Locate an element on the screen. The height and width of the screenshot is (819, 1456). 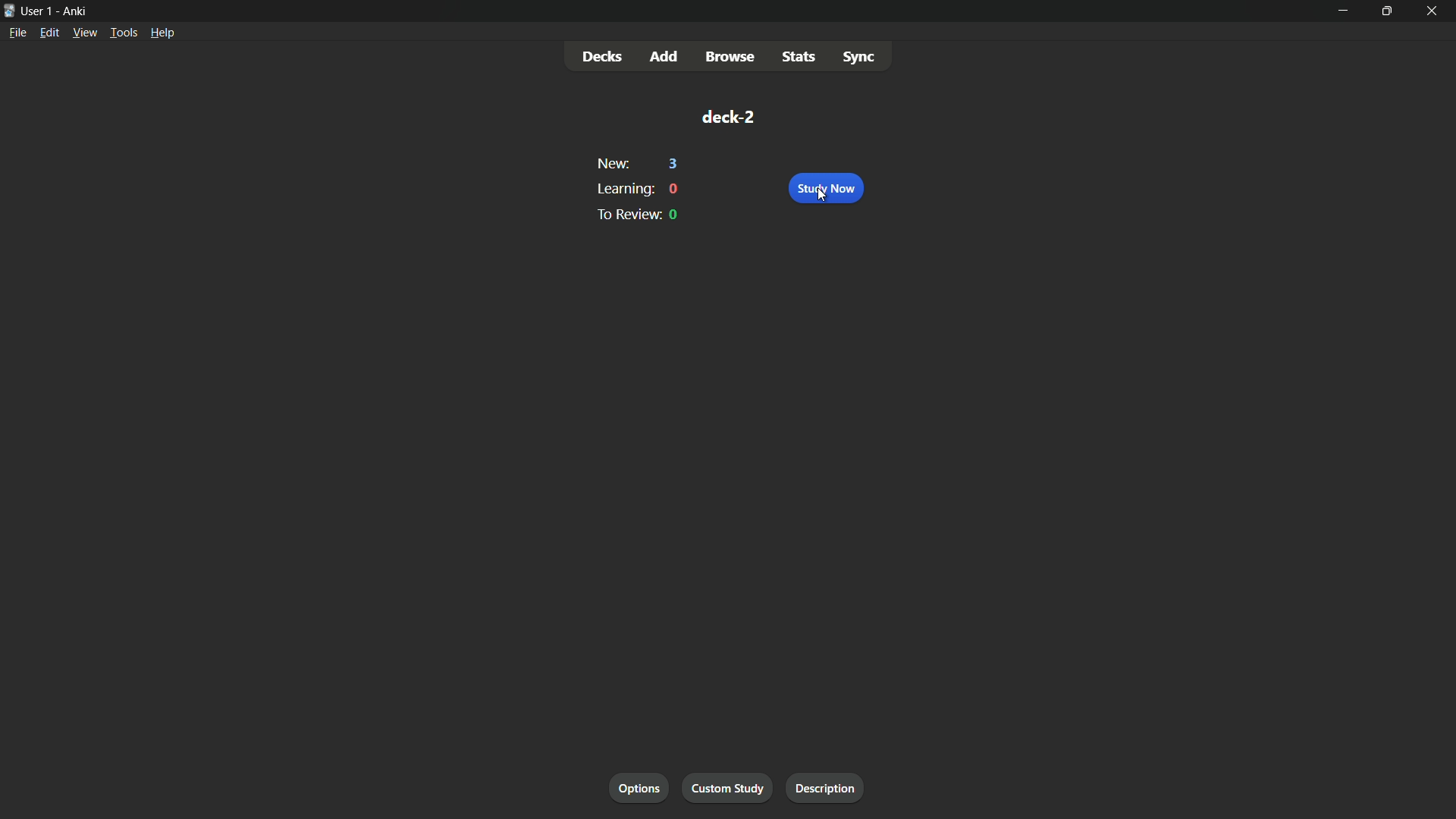
edit menu is located at coordinates (49, 32).